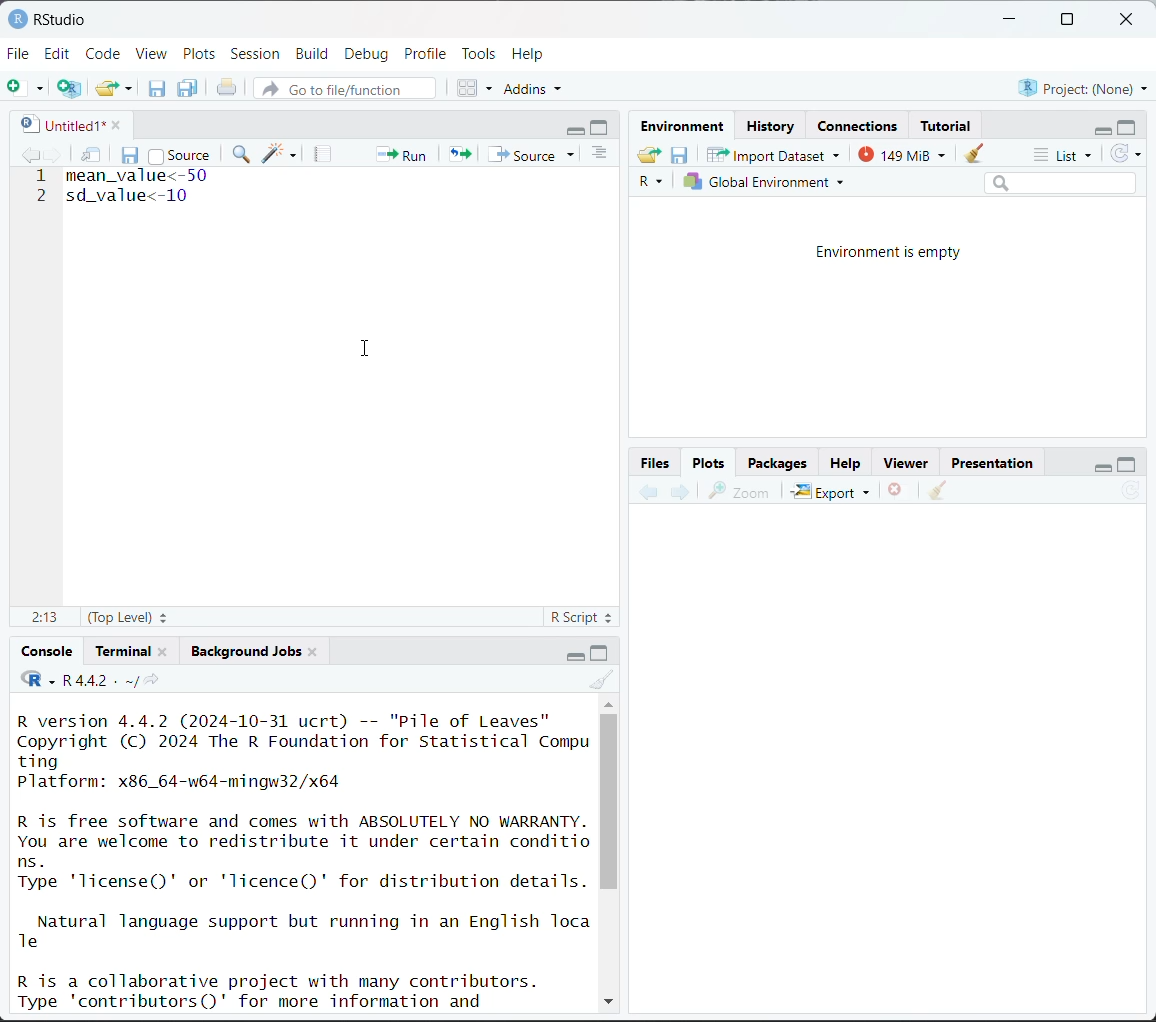  I want to click on show in new window, so click(93, 156).